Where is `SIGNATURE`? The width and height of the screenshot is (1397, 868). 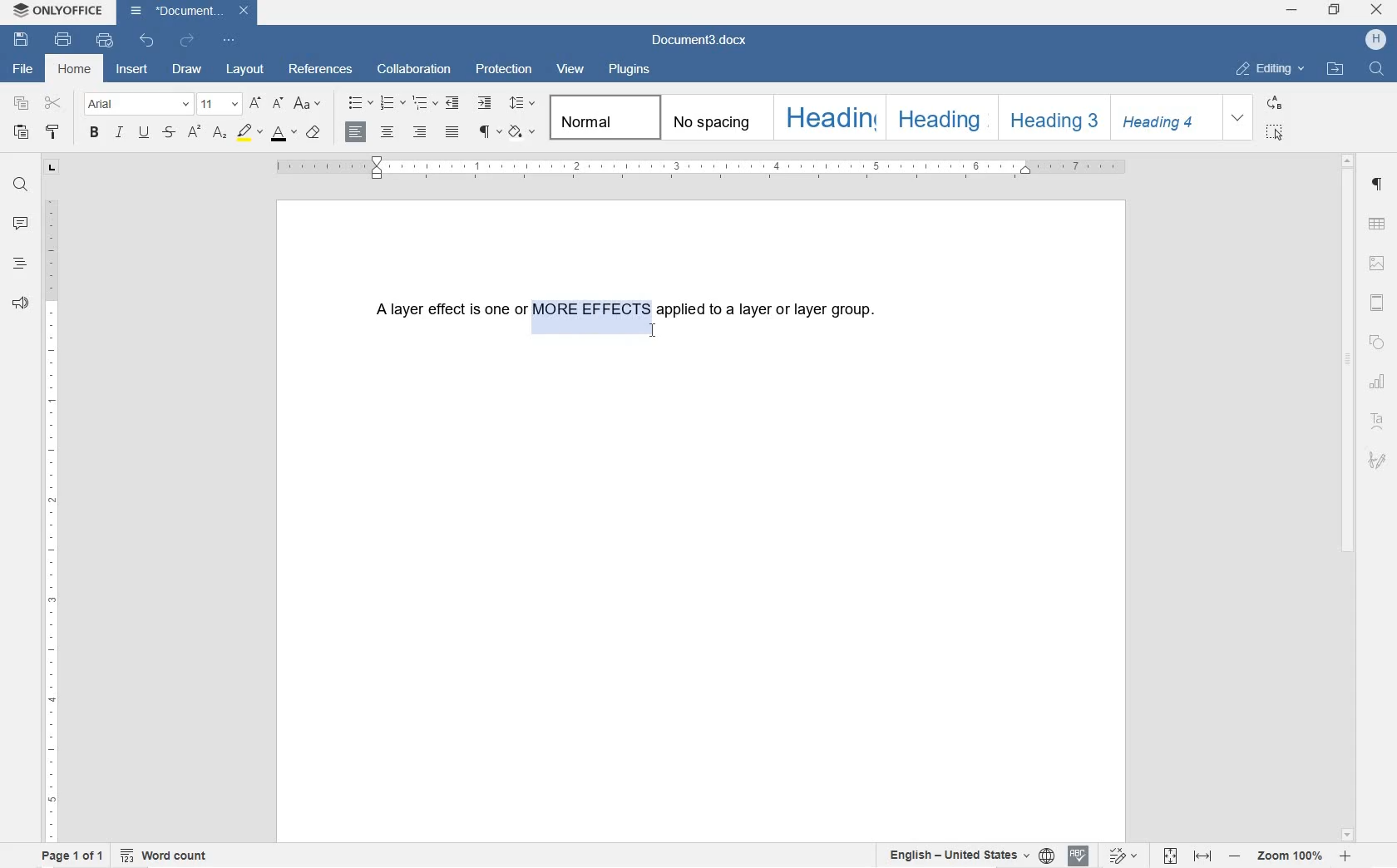 SIGNATURE is located at coordinates (1378, 458).